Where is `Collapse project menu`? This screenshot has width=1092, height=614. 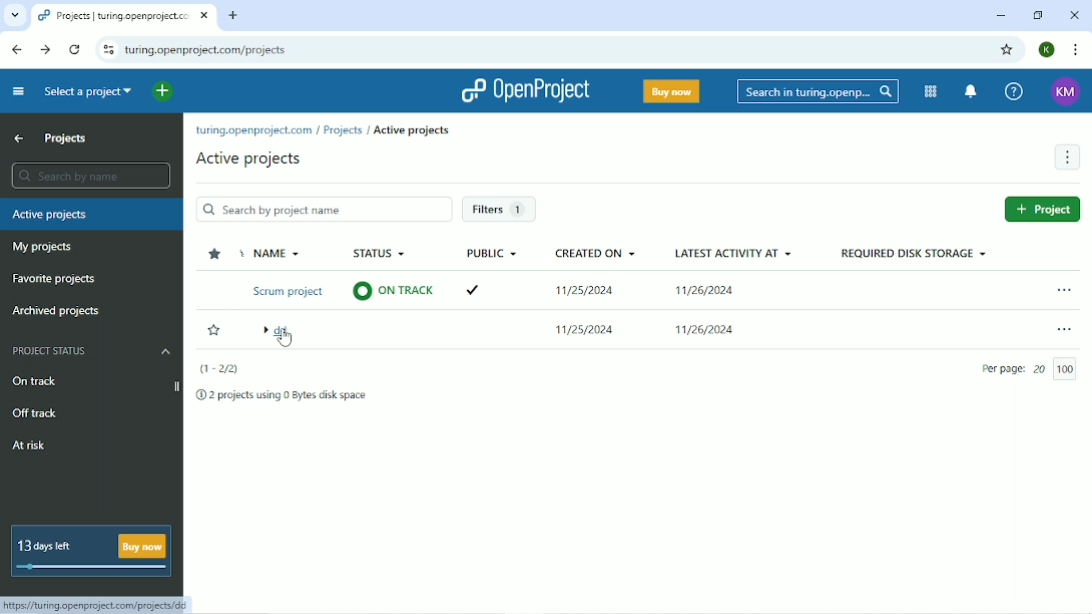
Collapse project menu is located at coordinates (18, 91).